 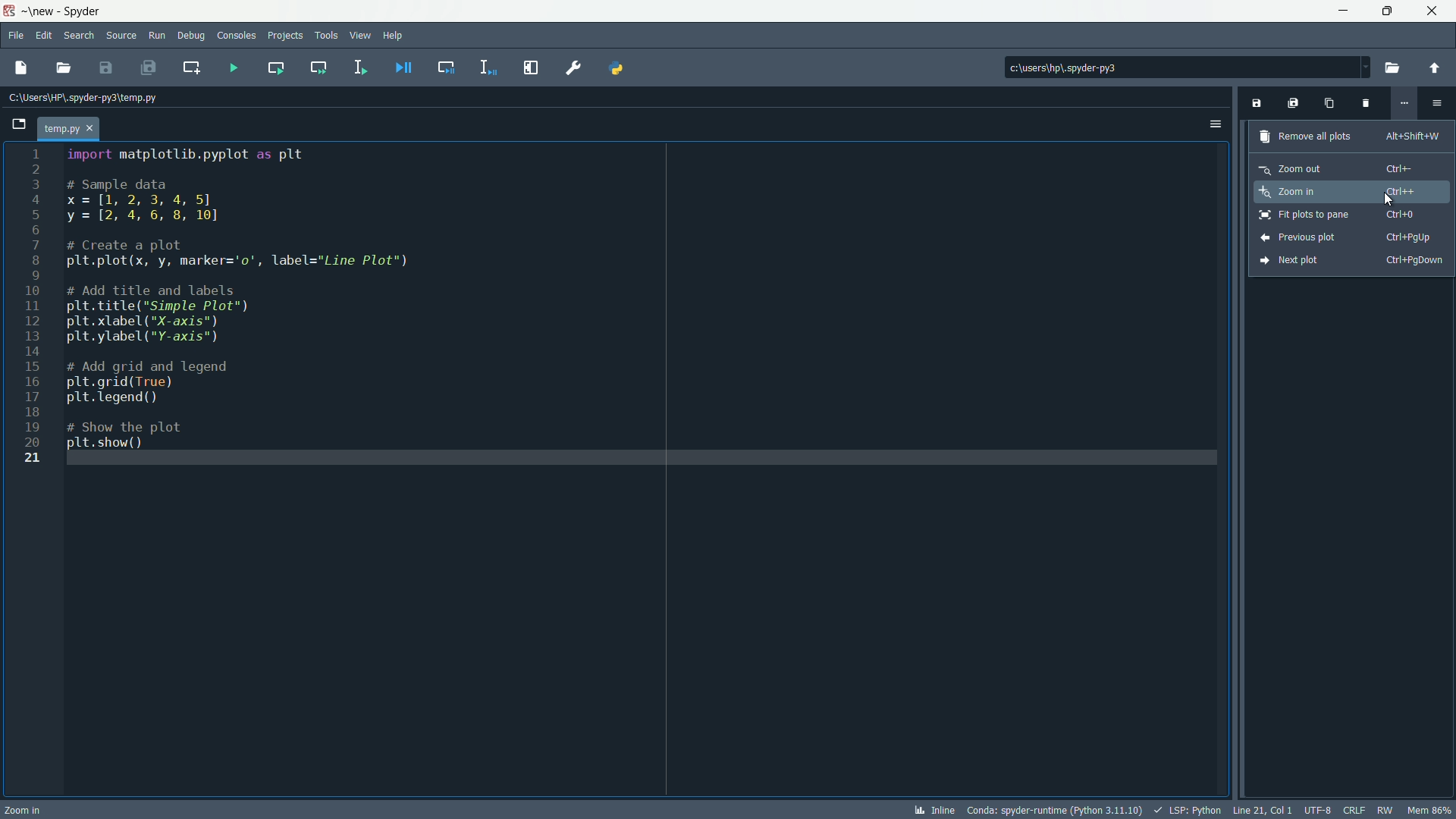 What do you see at coordinates (395, 35) in the screenshot?
I see `help menu` at bounding box center [395, 35].